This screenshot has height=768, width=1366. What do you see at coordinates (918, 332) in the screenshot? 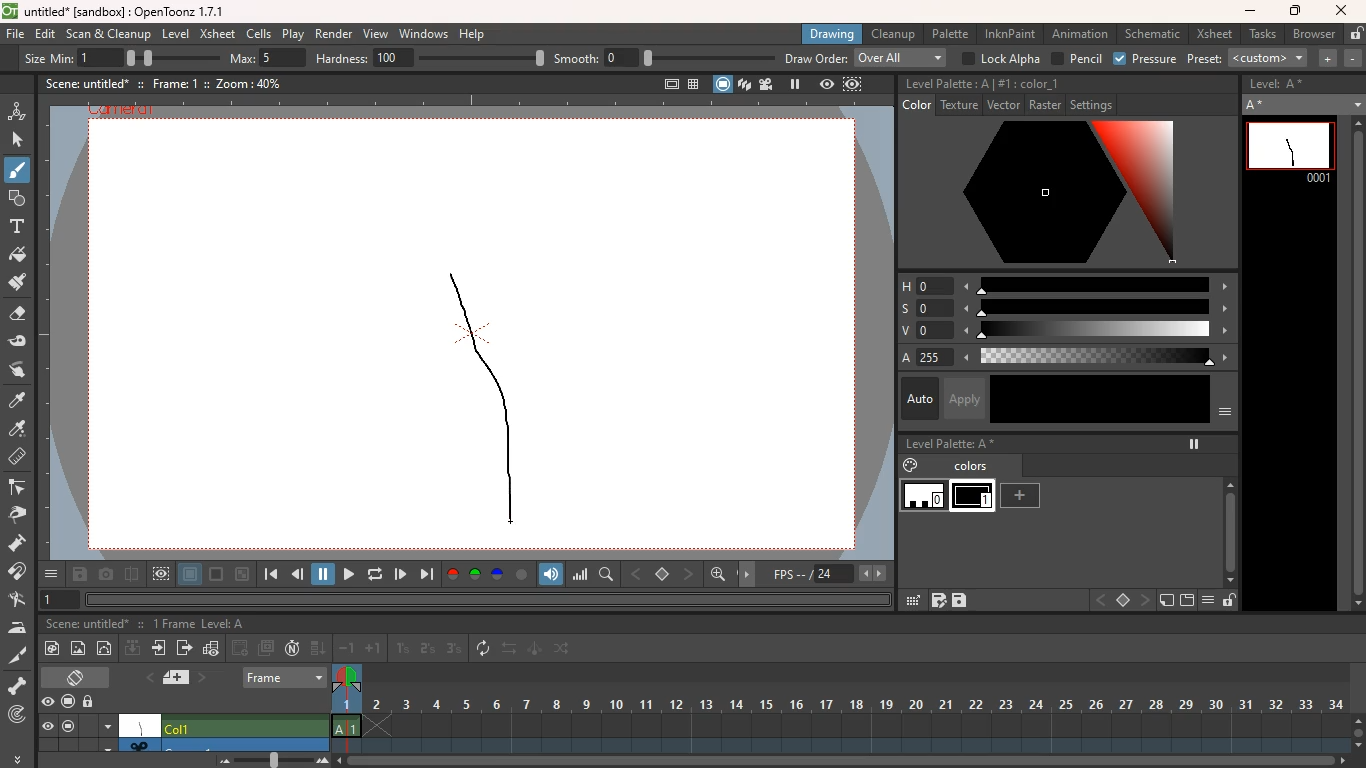
I see `v` at bounding box center [918, 332].